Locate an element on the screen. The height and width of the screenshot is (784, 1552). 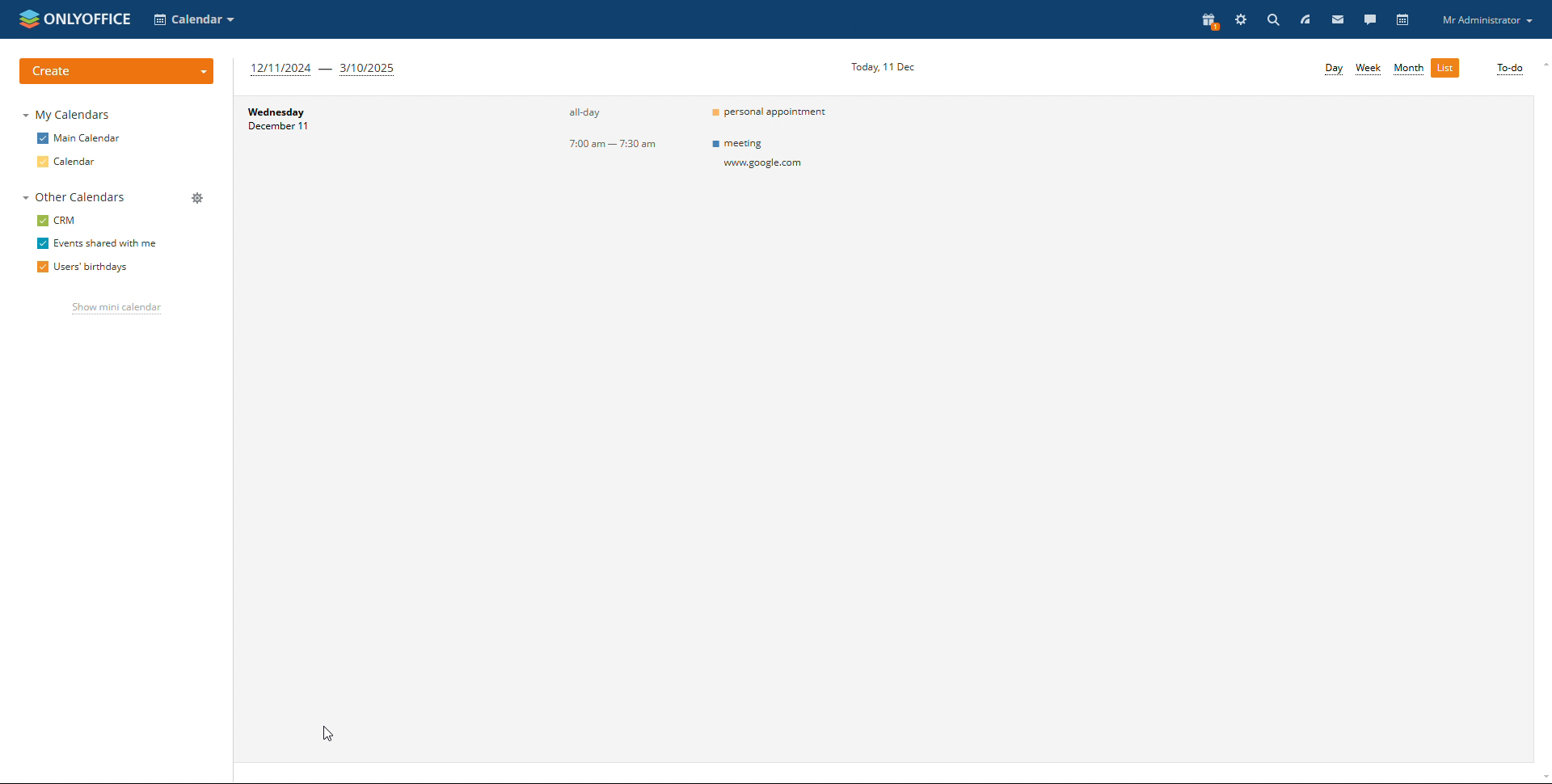
users' birthdays is located at coordinates (82, 268).